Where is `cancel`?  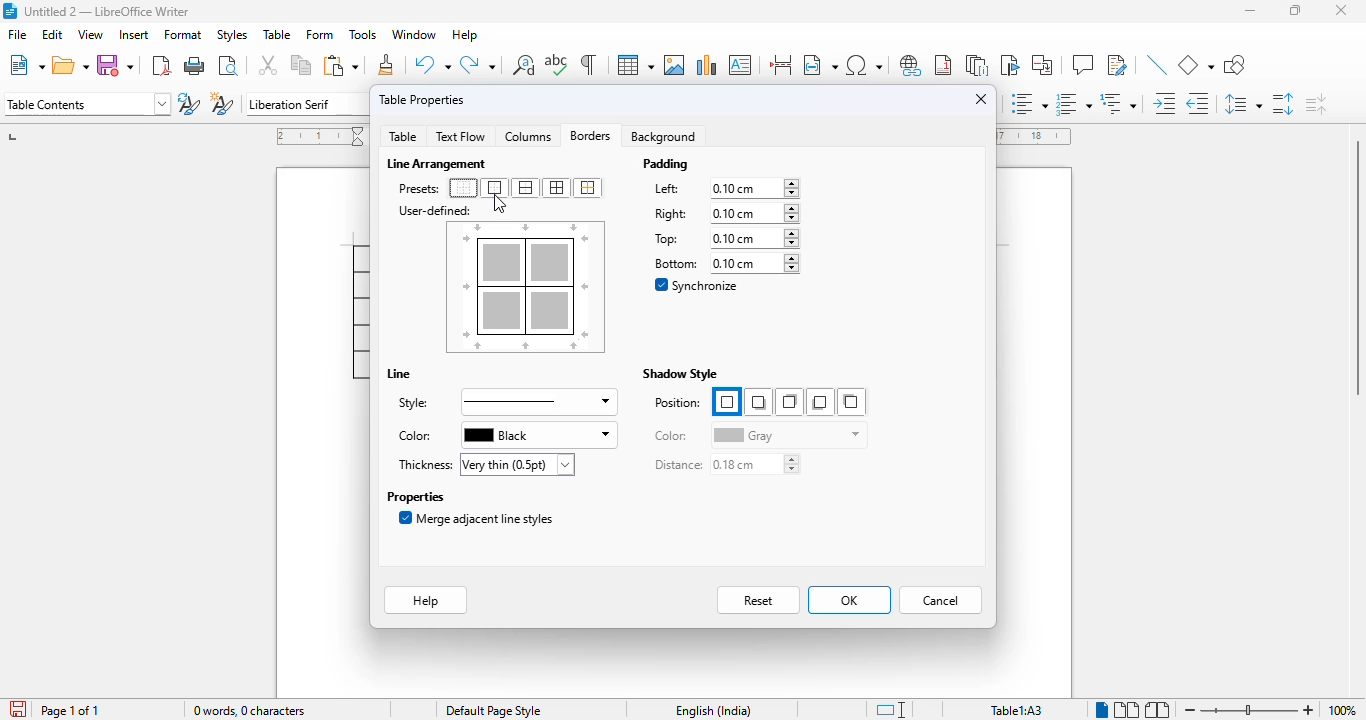
cancel is located at coordinates (941, 600).